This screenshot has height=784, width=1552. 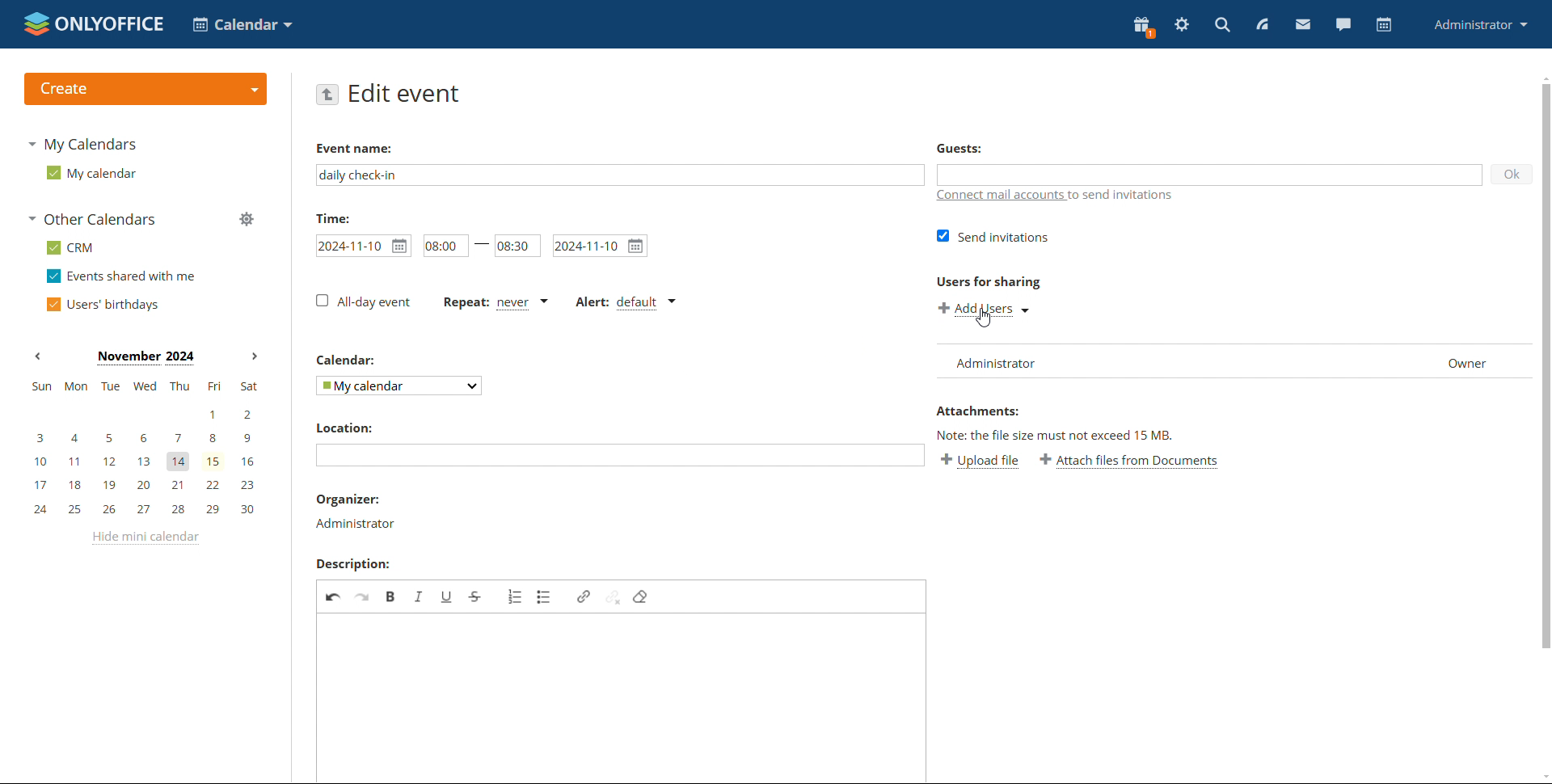 What do you see at coordinates (545, 596) in the screenshot?
I see `insert/remove bulleted list` at bounding box center [545, 596].